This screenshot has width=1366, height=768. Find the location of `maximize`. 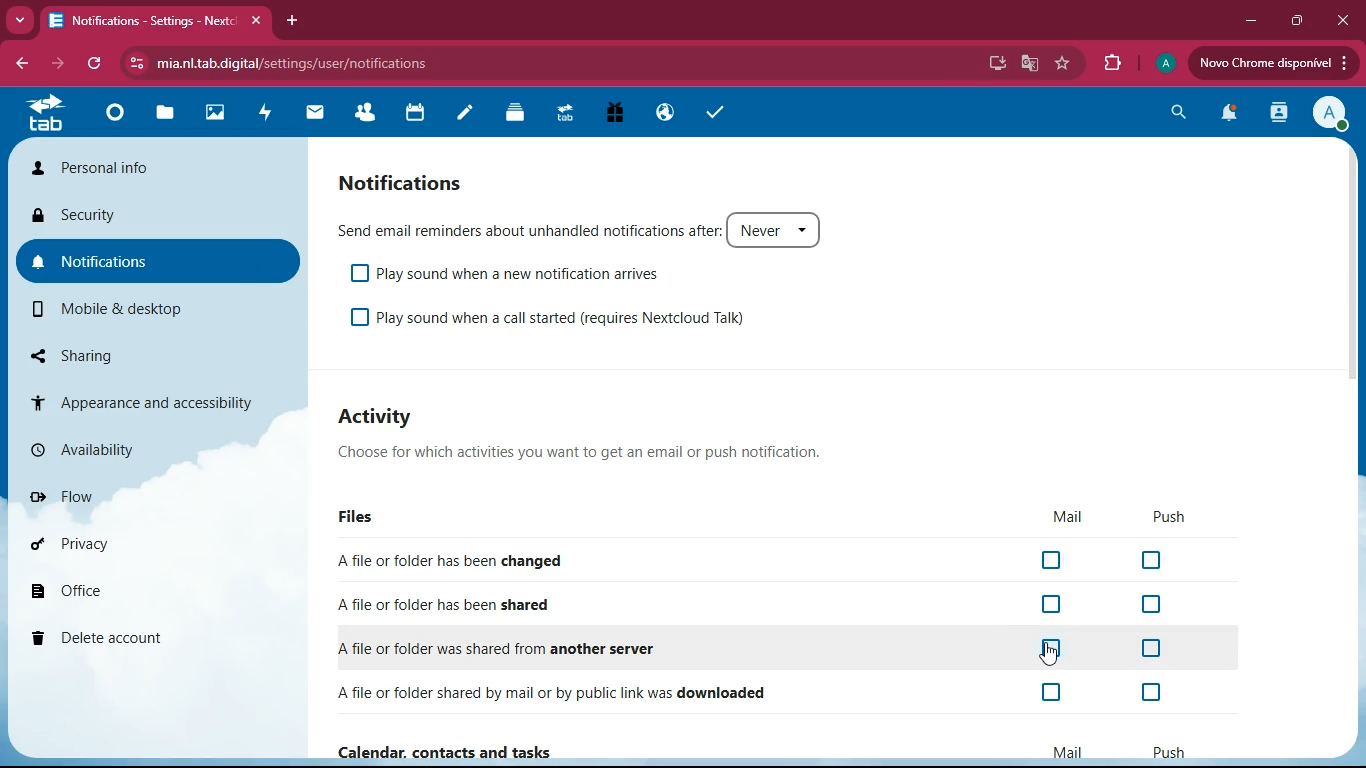

maximize is located at coordinates (1294, 21).